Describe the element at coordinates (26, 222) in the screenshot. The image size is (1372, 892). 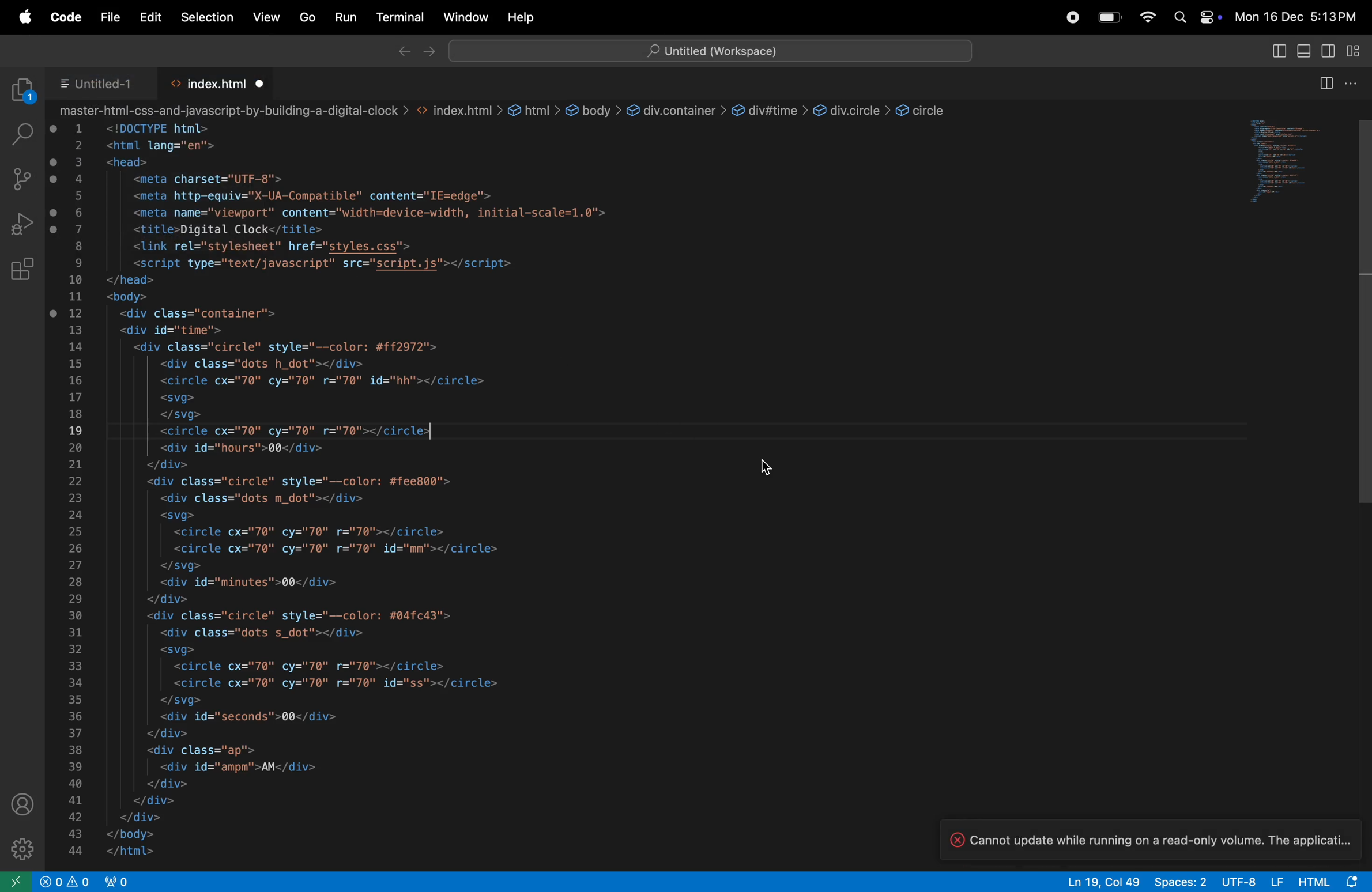
I see `run and debug` at that location.